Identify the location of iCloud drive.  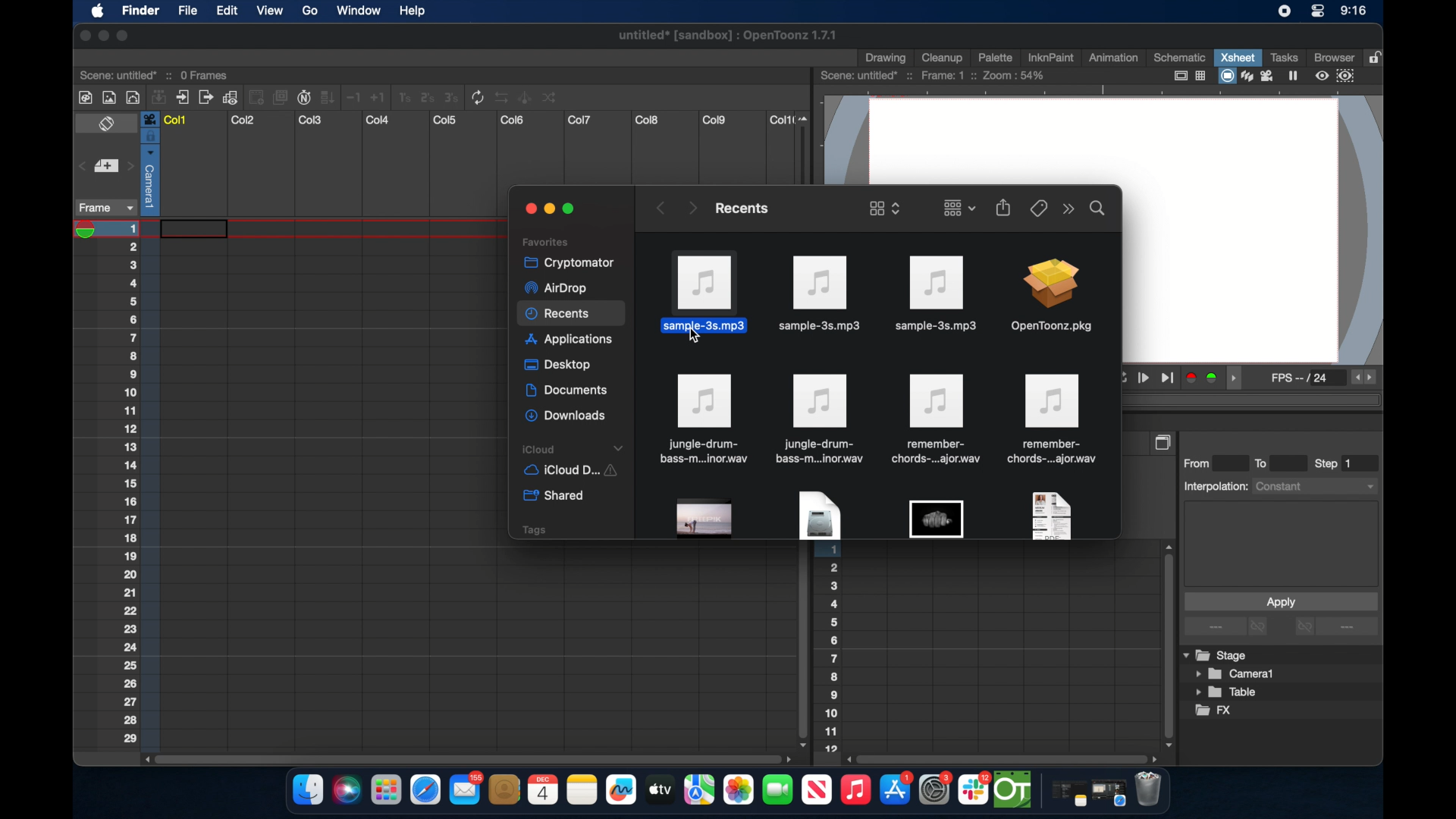
(570, 472).